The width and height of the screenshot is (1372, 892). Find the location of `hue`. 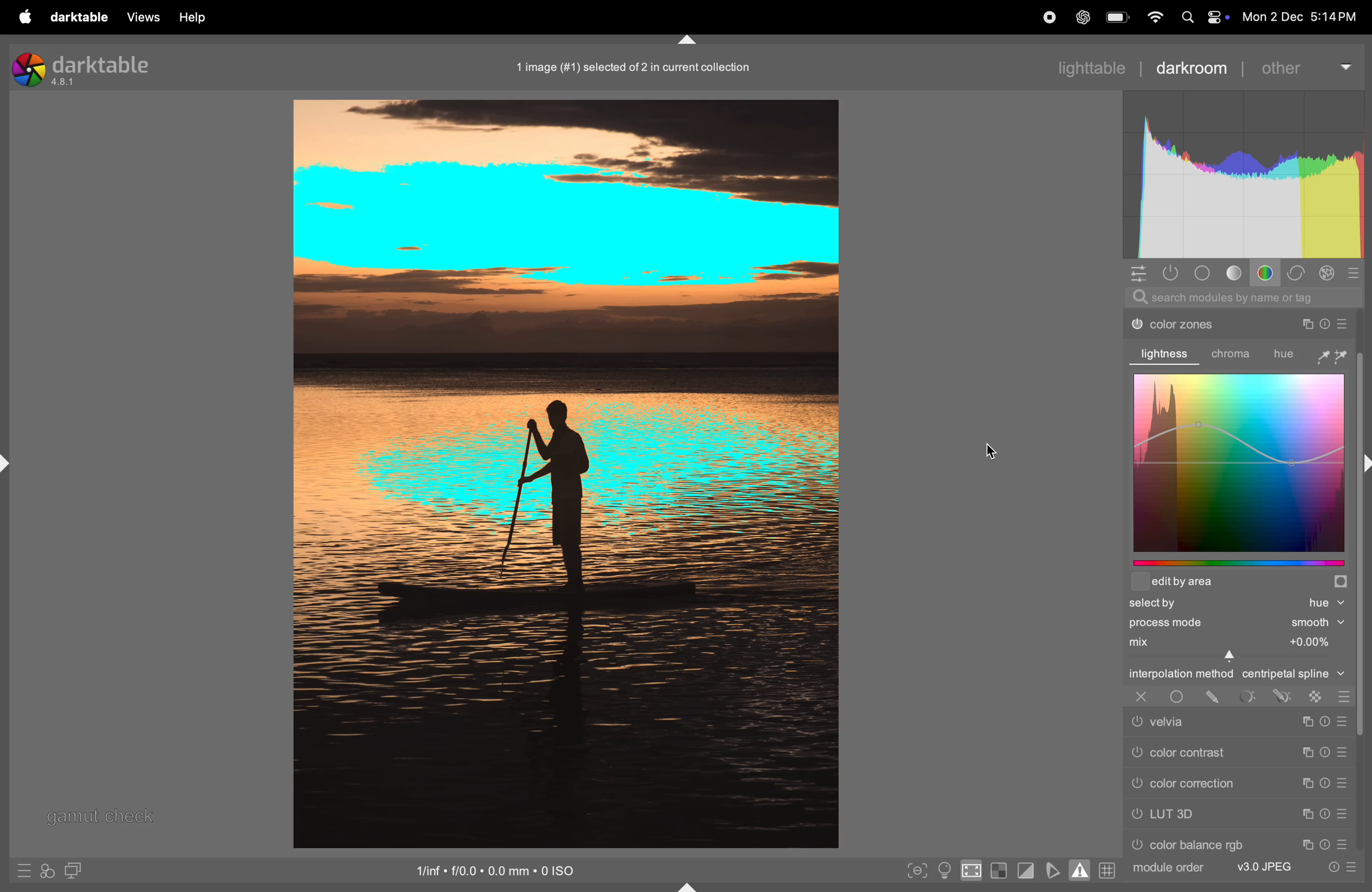

hue is located at coordinates (1310, 354).